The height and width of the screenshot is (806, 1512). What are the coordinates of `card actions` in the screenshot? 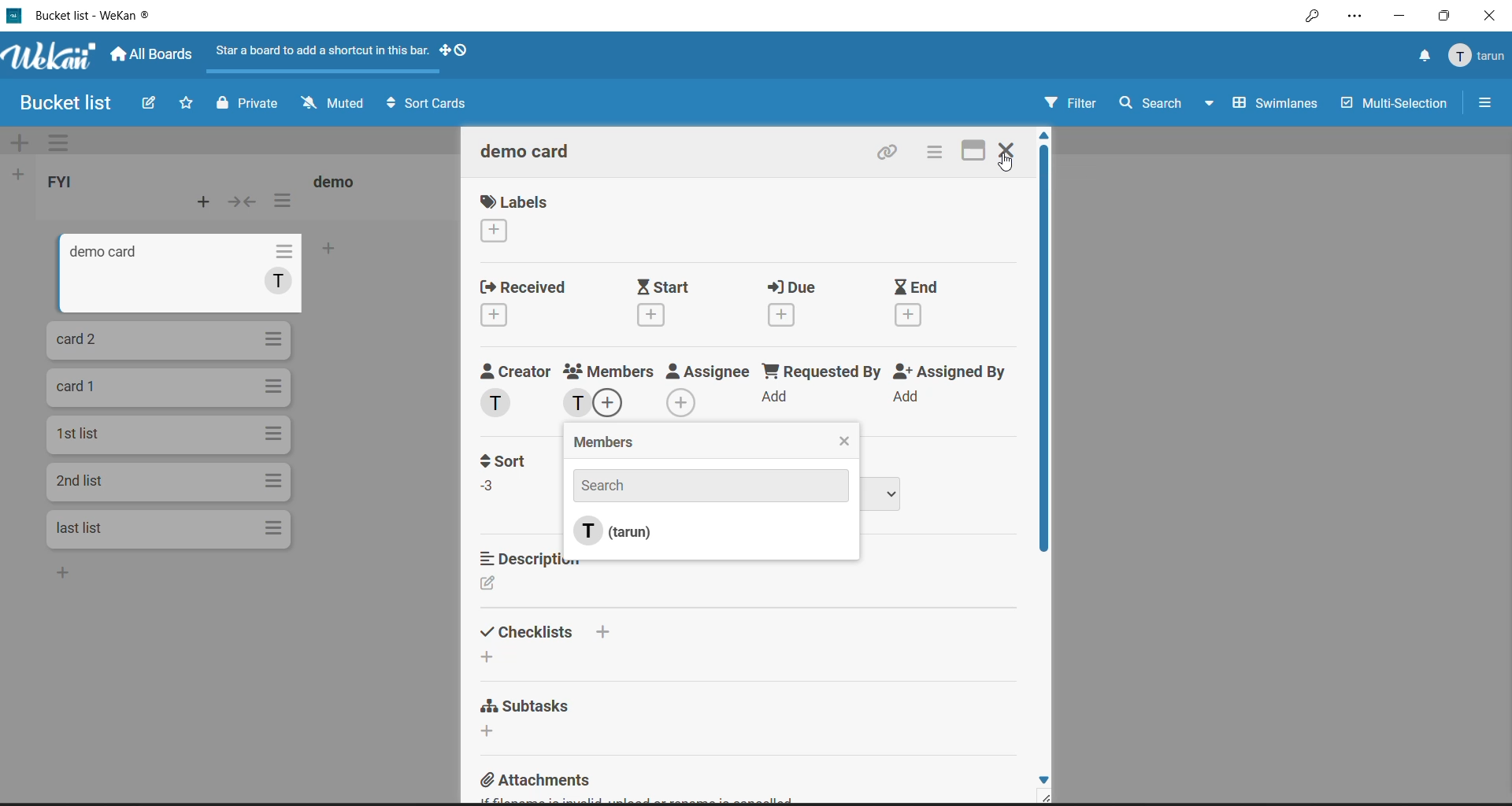 It's located at (275, 253).